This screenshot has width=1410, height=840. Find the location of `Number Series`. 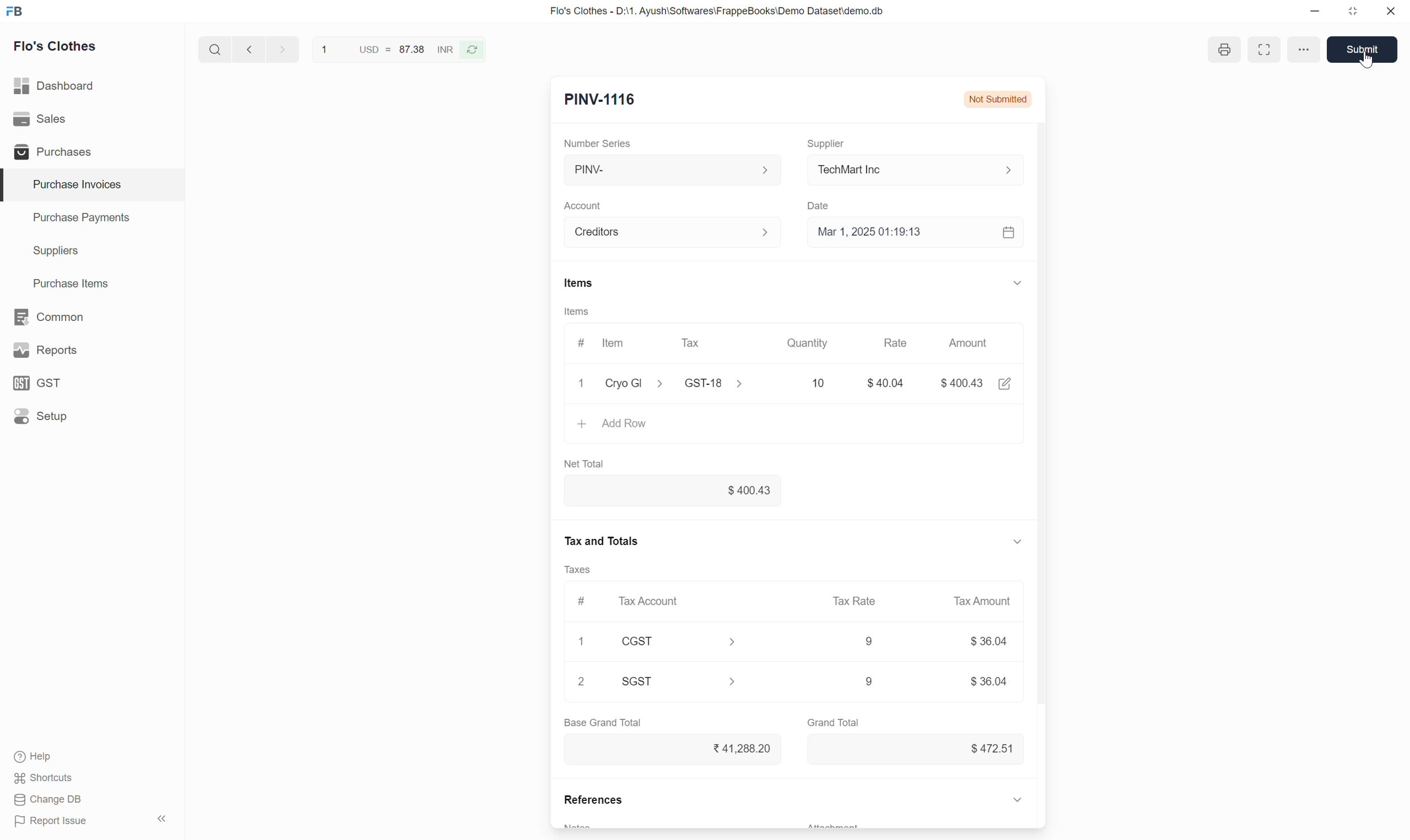

Number Series is located at coordinates (604, 142).